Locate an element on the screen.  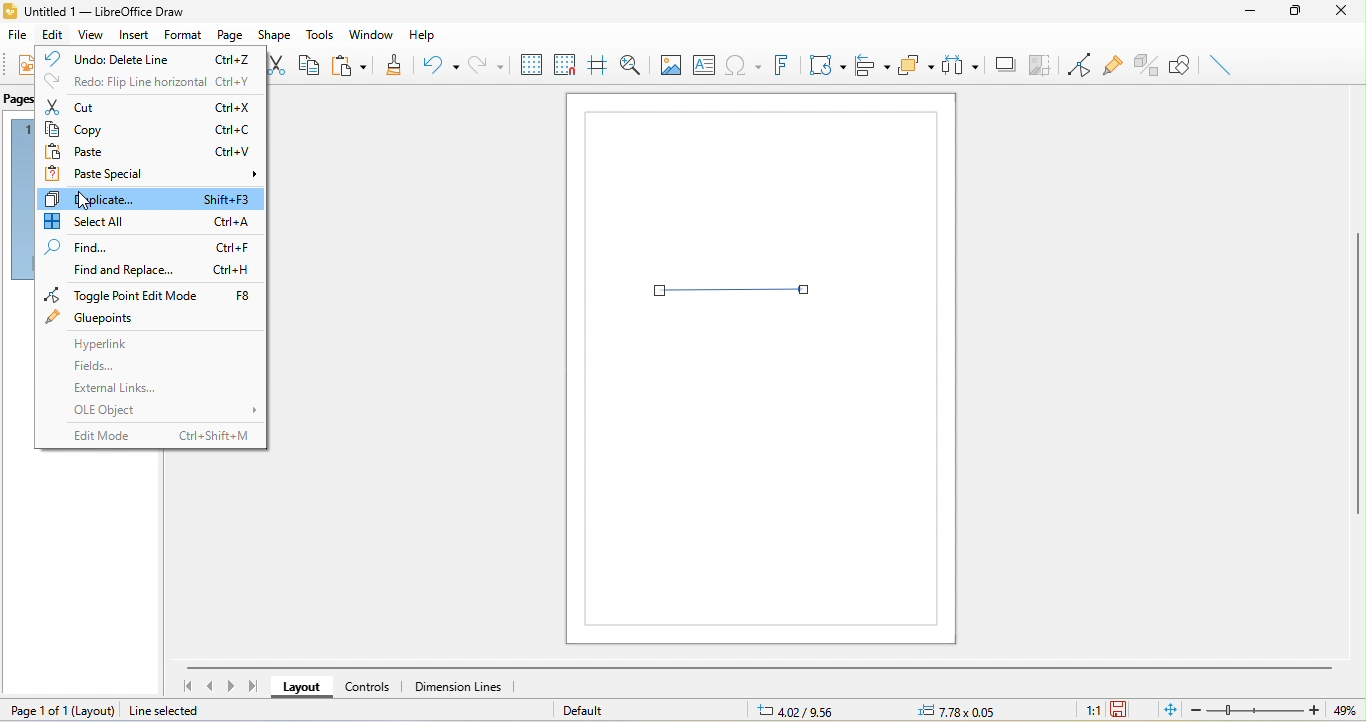
undo: delete line is located at coordinates (153, 56).